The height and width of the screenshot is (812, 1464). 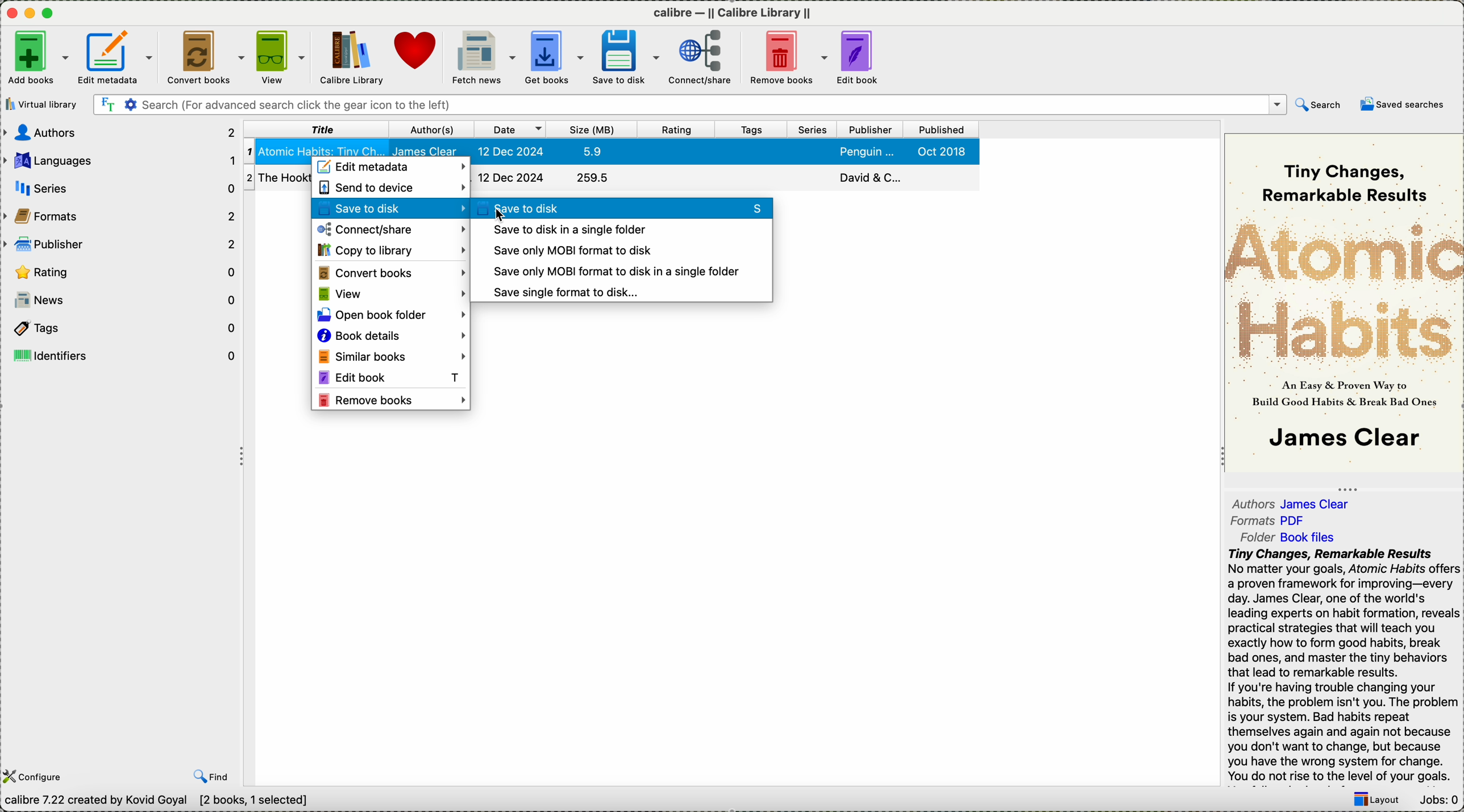 I want to click on edit metadata, so click(x=118, y=56).